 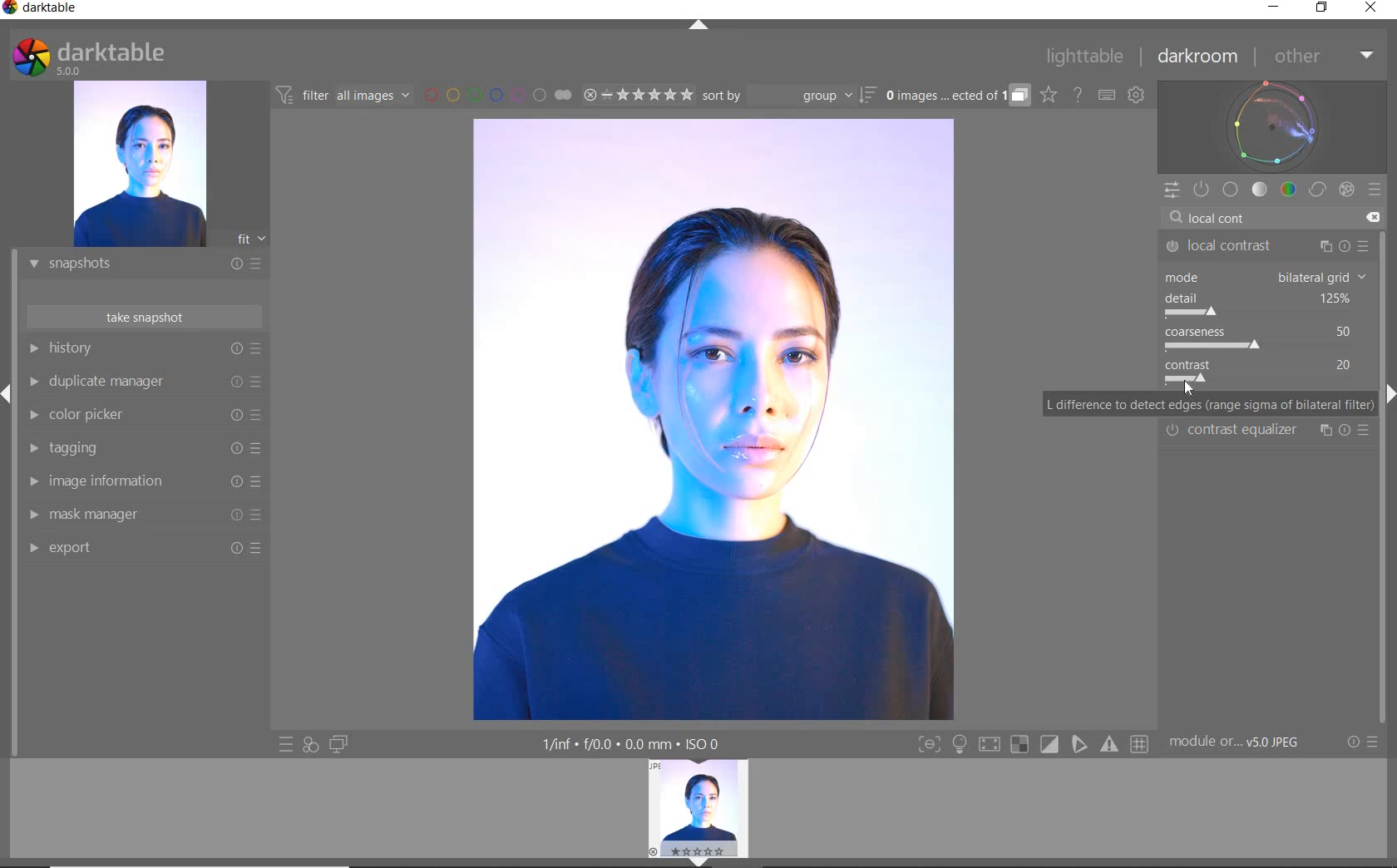 I want to click on TAGGING, so click(x=141, y=449).